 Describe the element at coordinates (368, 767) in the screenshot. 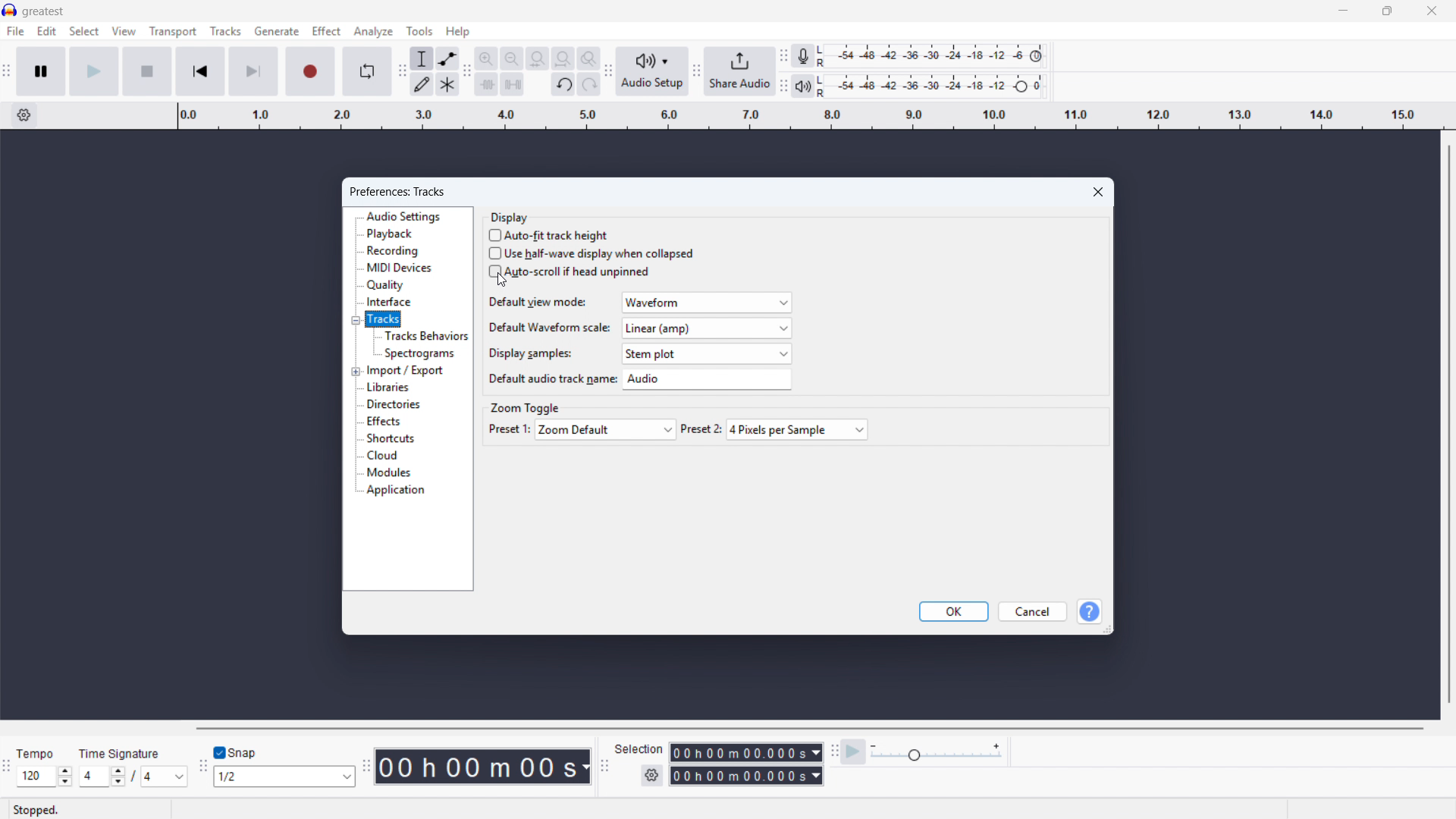

I see `Time toolbar ` at that location.